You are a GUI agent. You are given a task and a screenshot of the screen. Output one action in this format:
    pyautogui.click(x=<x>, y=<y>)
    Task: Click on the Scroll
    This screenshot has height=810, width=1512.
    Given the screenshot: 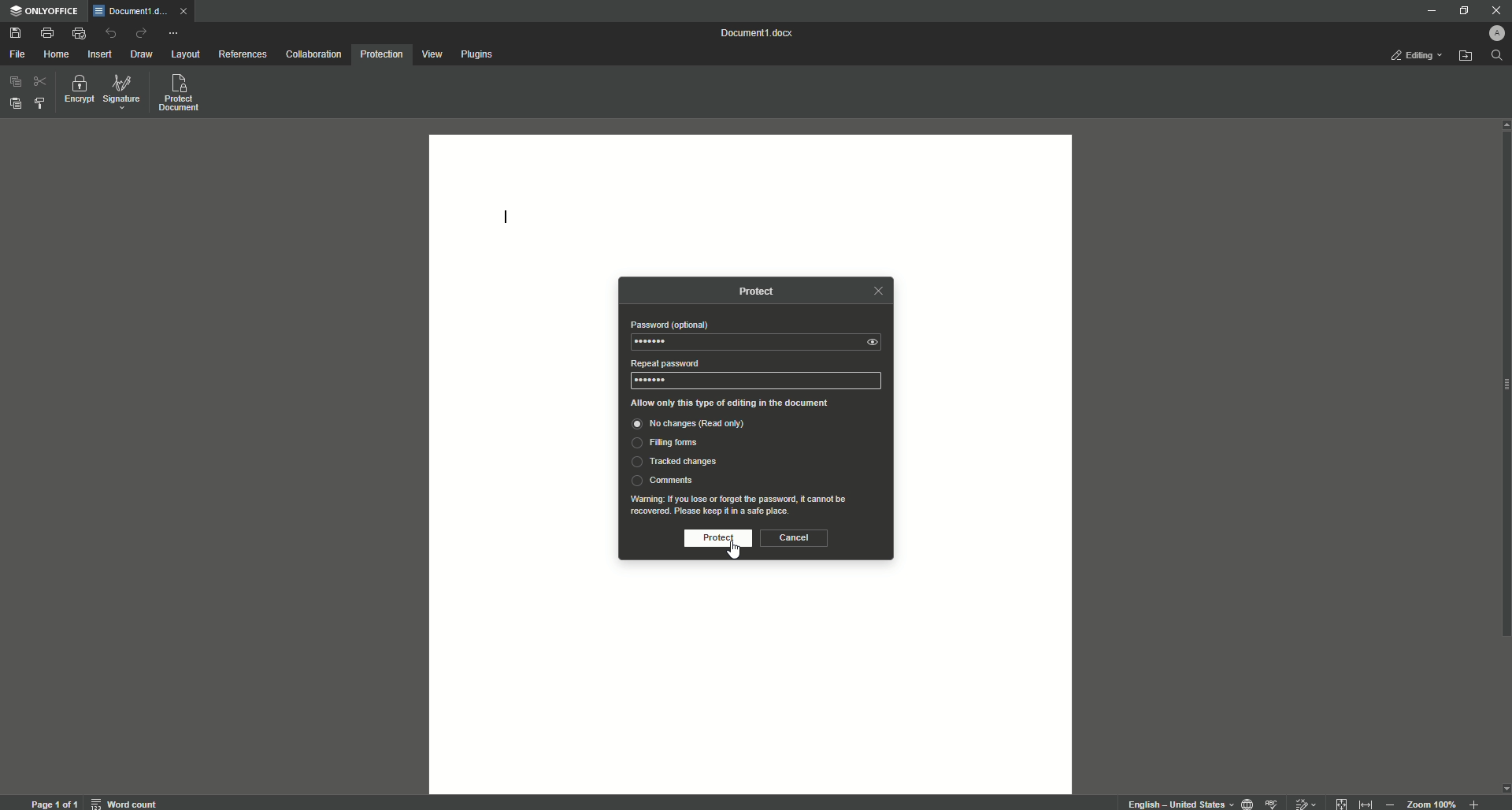 What is the action you would take?
    pyautogui.click(x=1503, y=422)
    